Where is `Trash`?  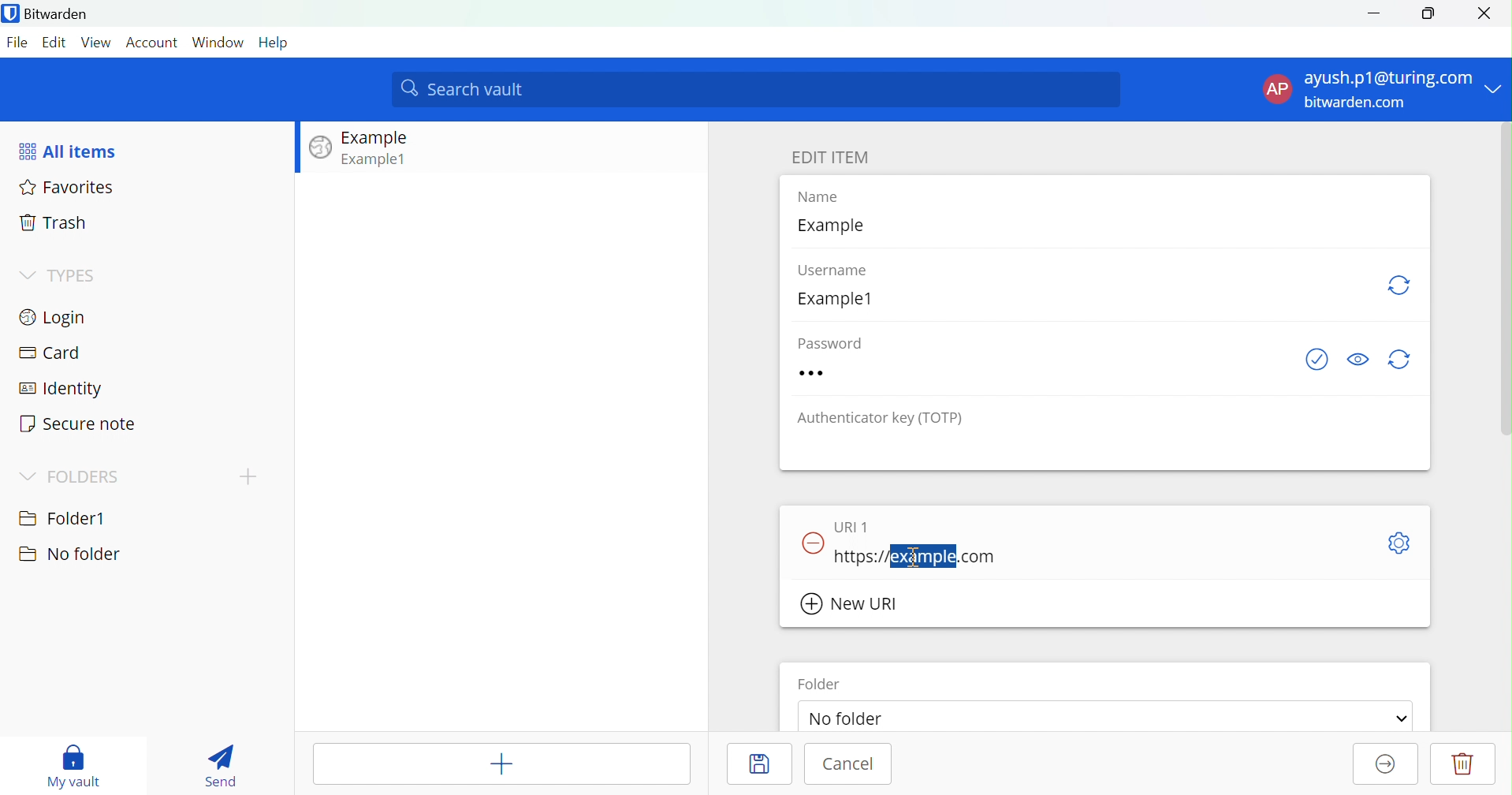 Trash is located at coordinates (55, 224).